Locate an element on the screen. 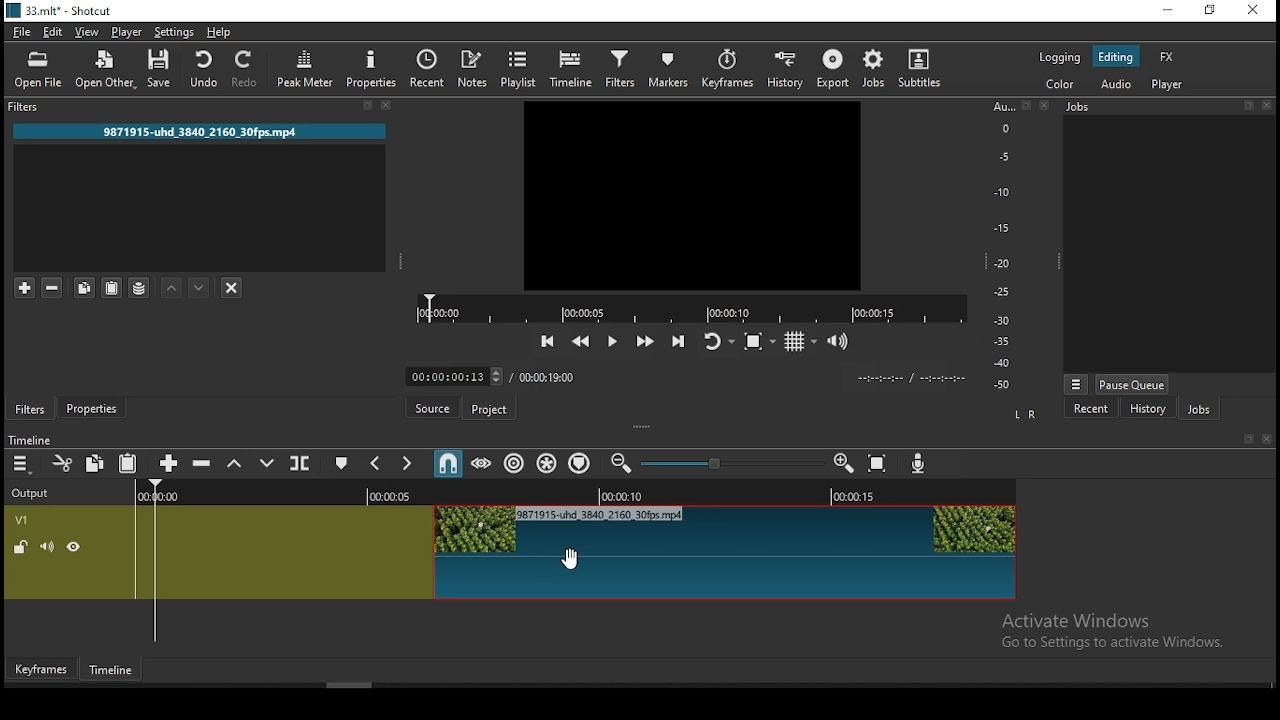 The height and width of the screenshot is (720, 1280). timeline is located at coordinates (571, 67).